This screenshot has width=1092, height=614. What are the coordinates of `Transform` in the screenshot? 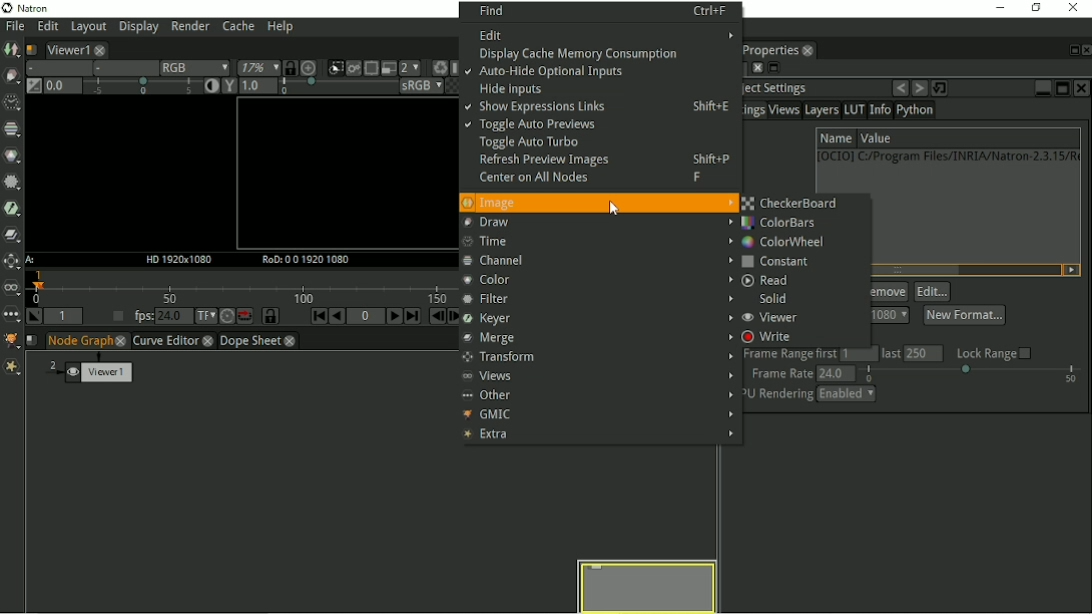 It's located at (12, 262).